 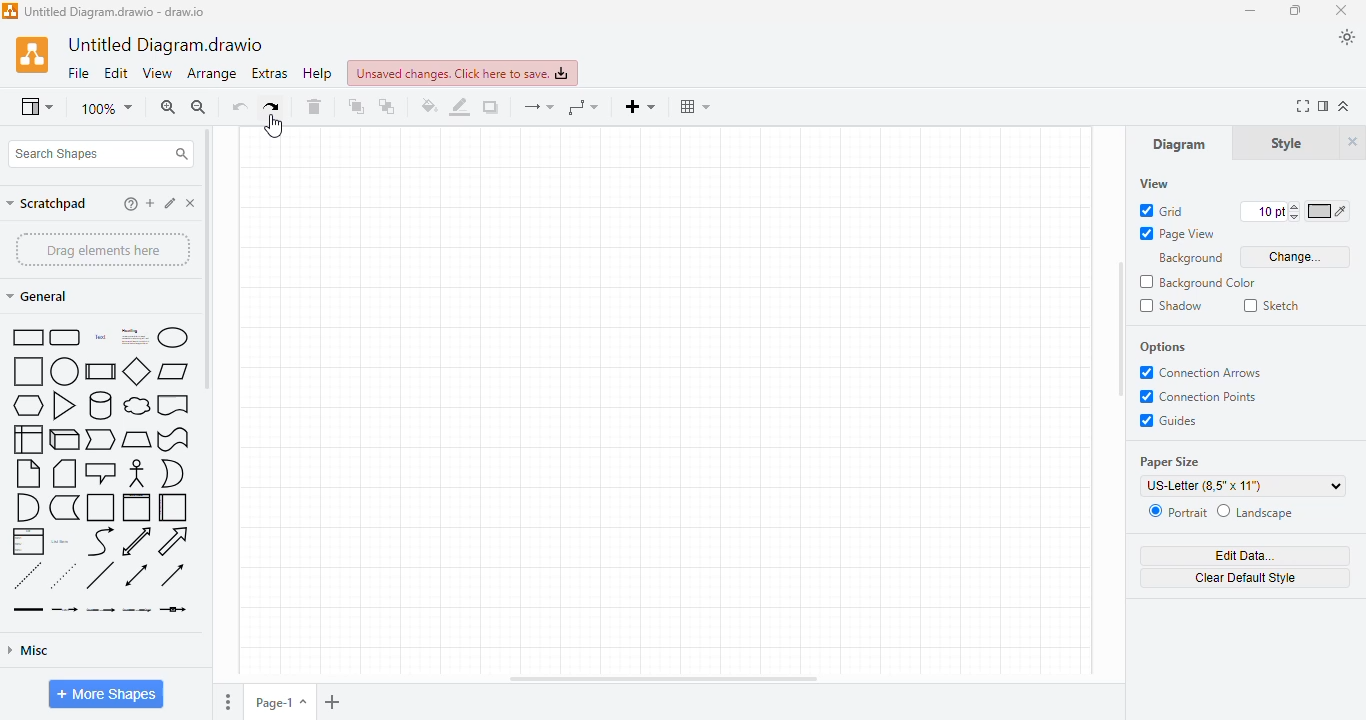 What do you see at coordinates (211, 74) in the screenshot?
I see `arrange` at bounding box center [211, 74].